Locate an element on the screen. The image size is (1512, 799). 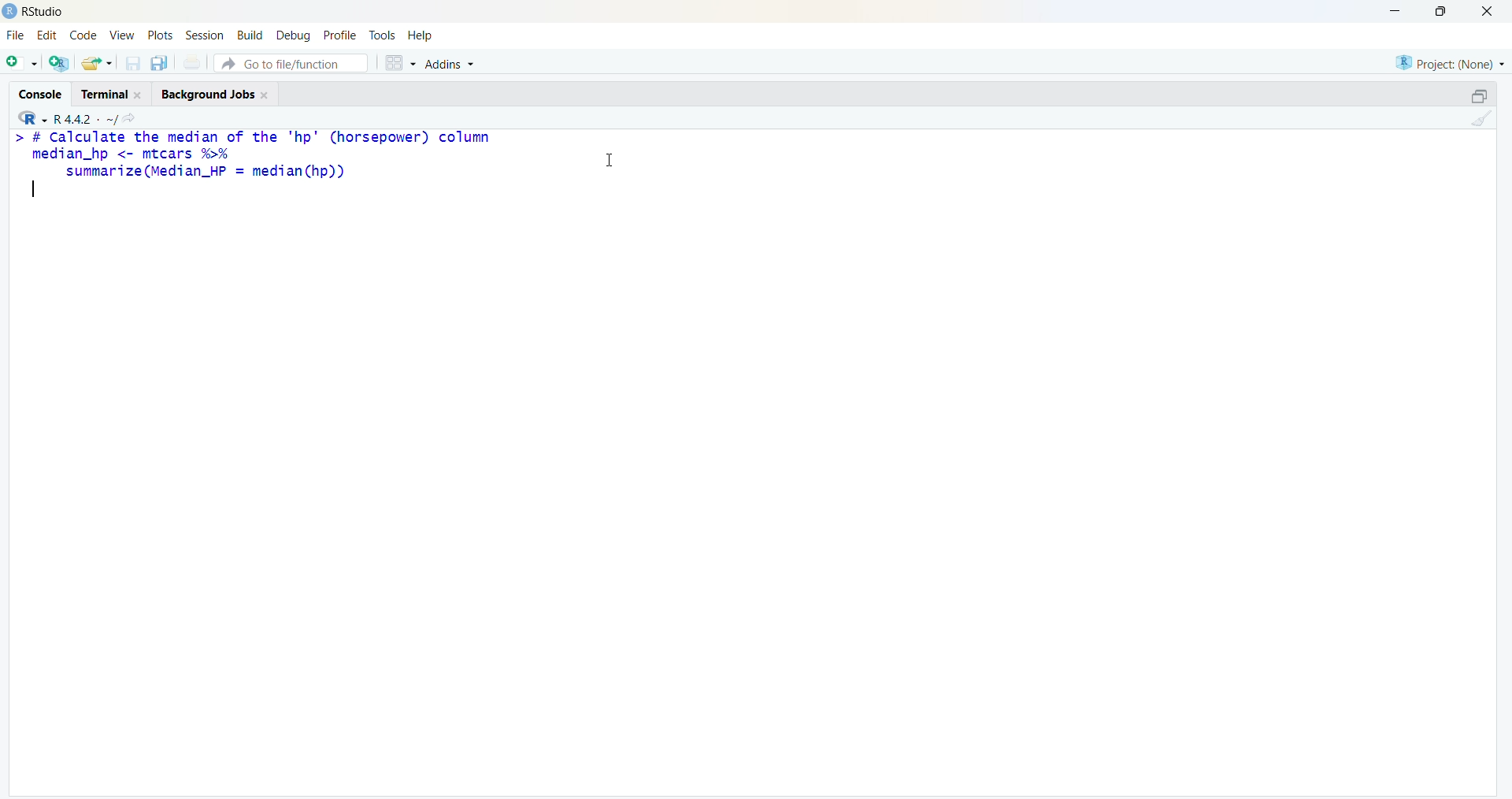
code is located at coordinates (83, 35).